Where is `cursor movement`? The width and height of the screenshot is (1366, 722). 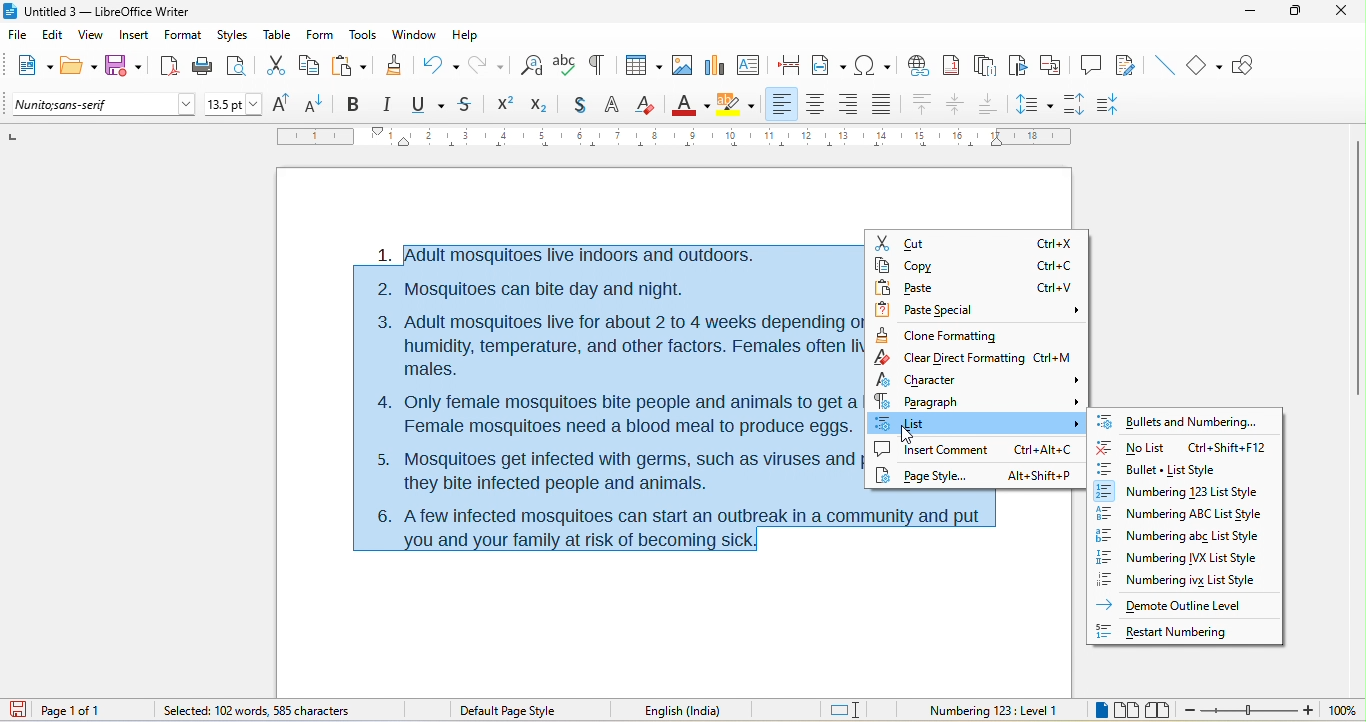
cursor movement is located at coordinates (908, 436).